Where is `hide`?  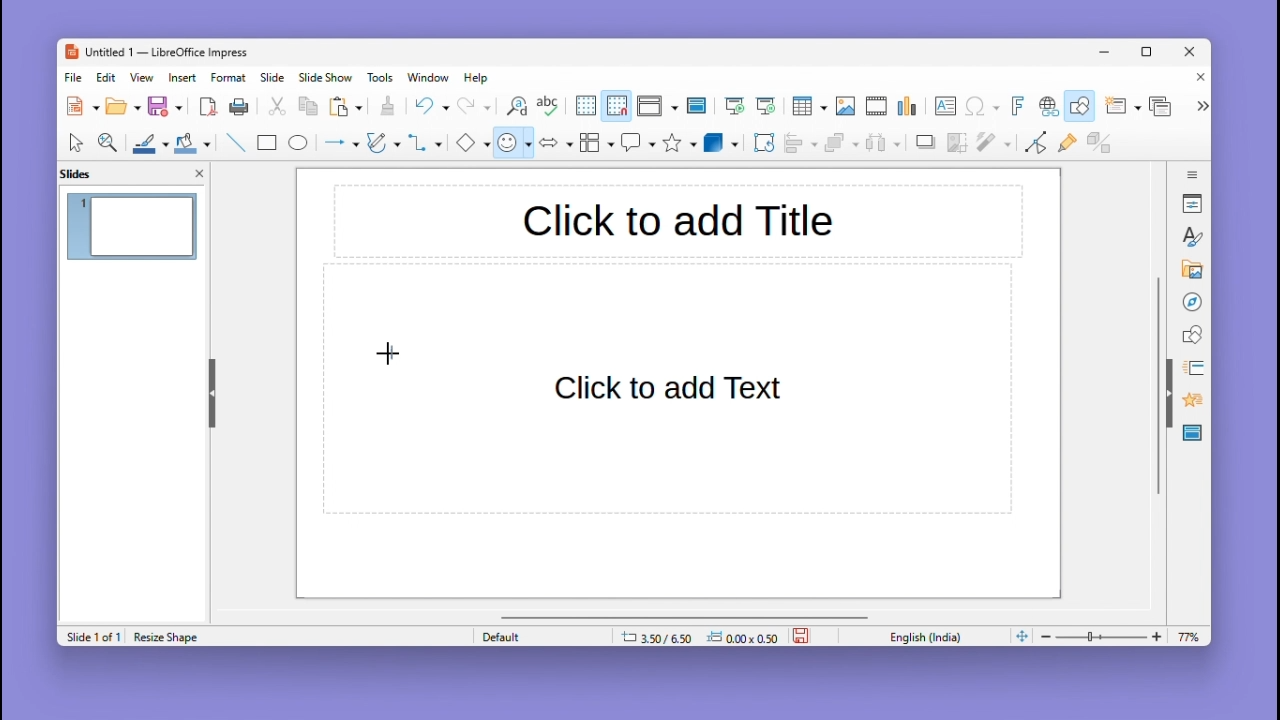
hide is located at coordinates (210, 389).